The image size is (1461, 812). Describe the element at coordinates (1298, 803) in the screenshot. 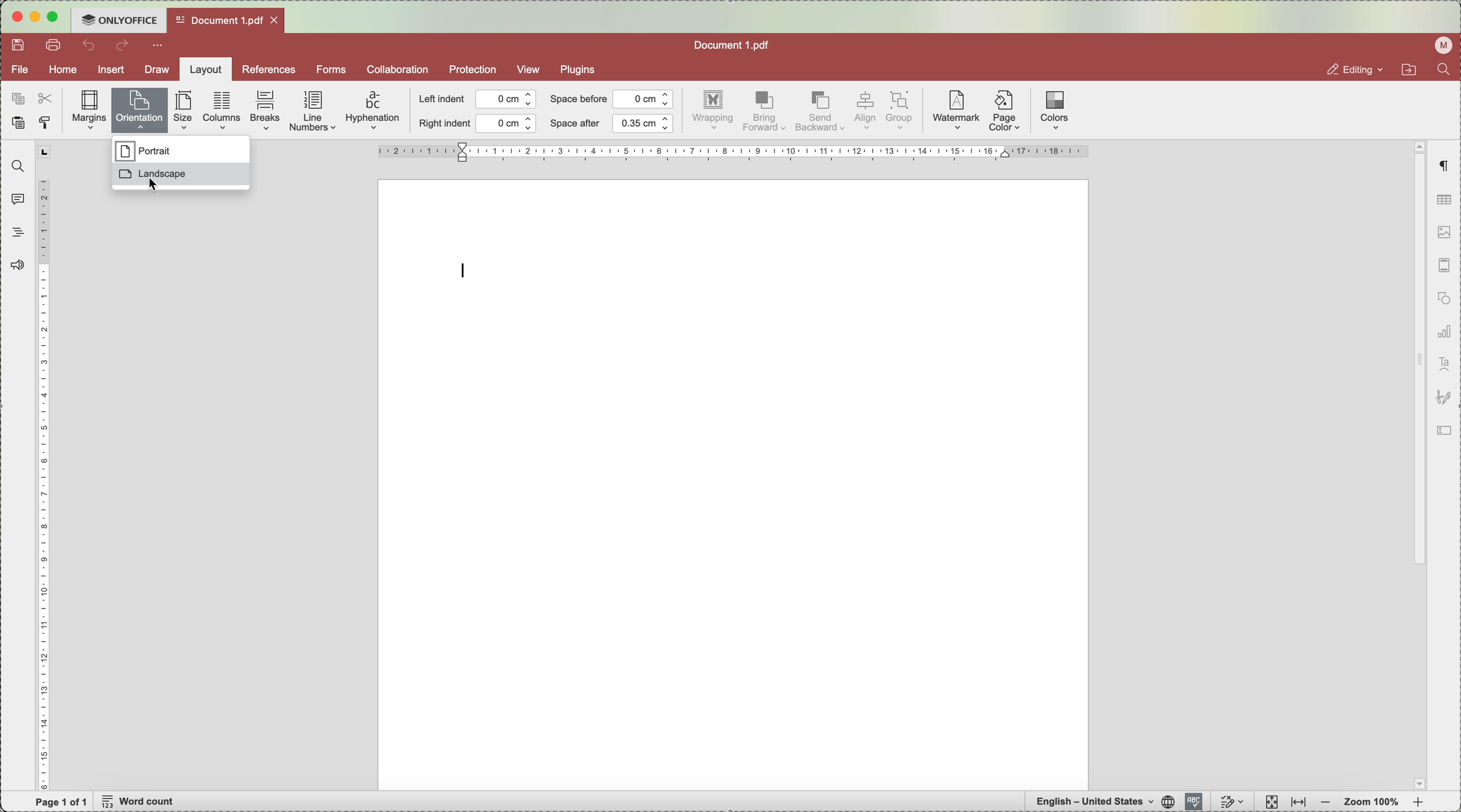

I see `fit to wight` at that location.